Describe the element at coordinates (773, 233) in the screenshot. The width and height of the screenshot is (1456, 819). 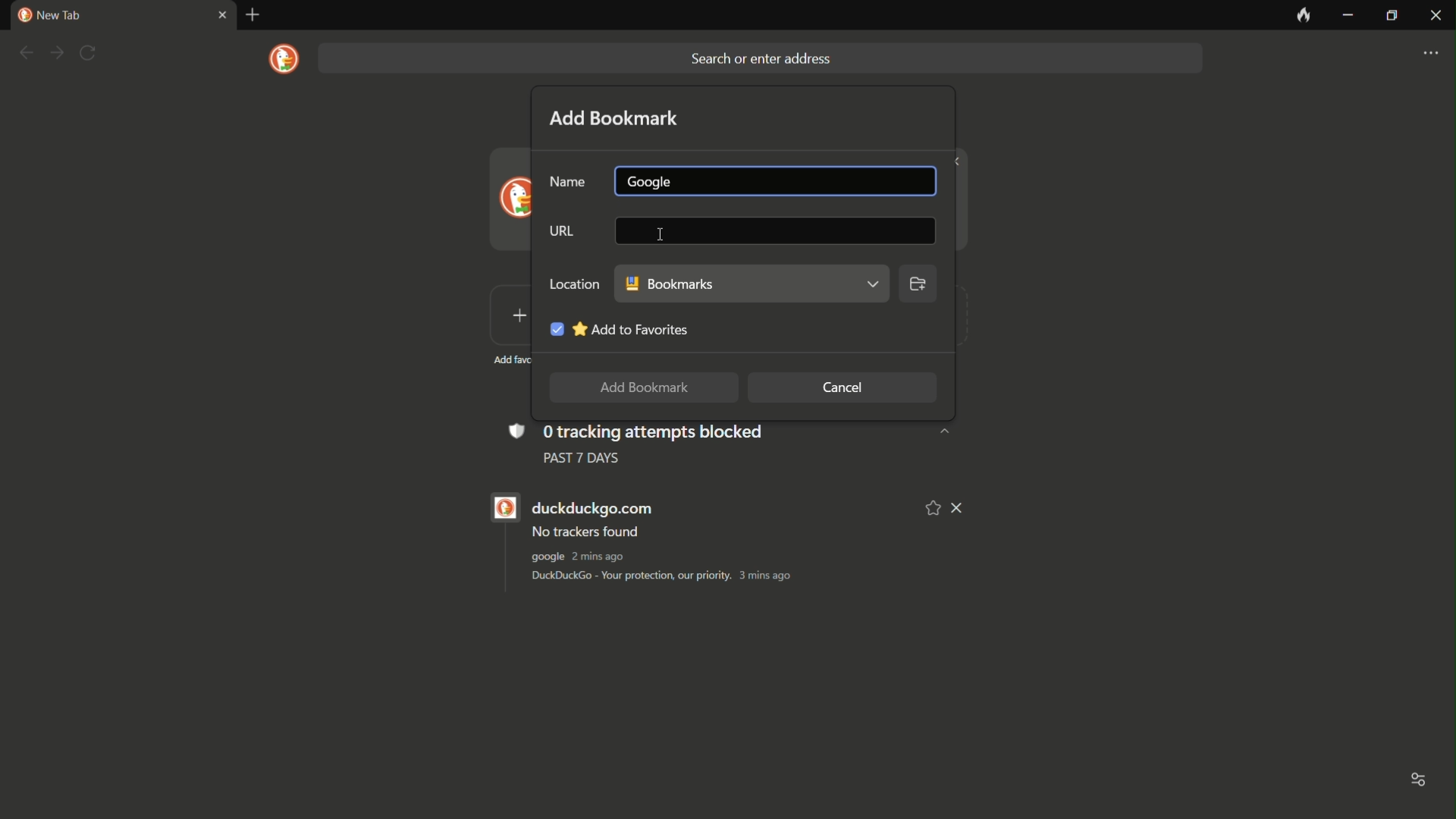
I see `url bar` at that location.